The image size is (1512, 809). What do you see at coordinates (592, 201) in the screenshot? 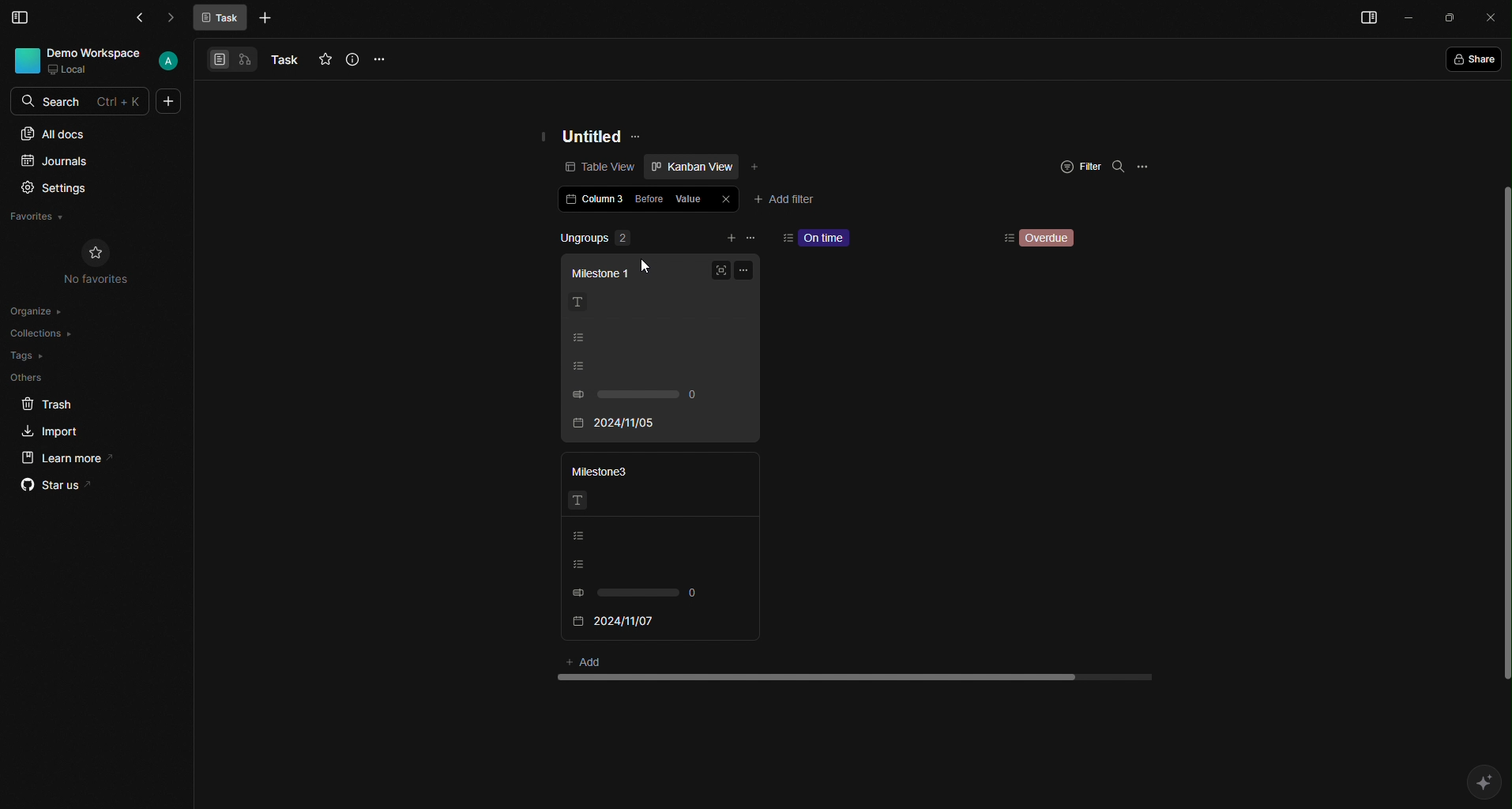
I see `Column 3` at bounding box center [592, 201].